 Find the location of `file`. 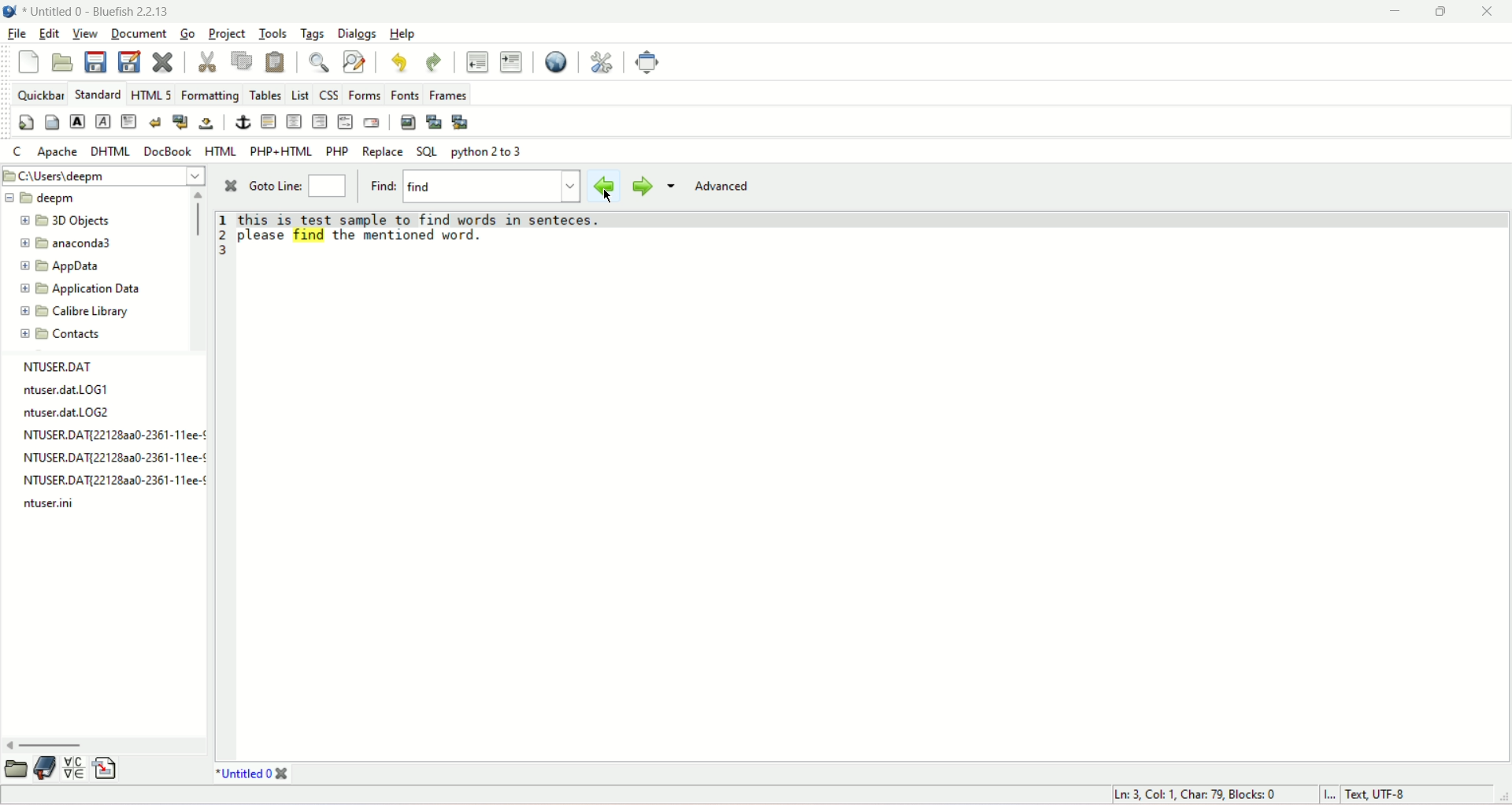

file is located at coordinates (17, 32).